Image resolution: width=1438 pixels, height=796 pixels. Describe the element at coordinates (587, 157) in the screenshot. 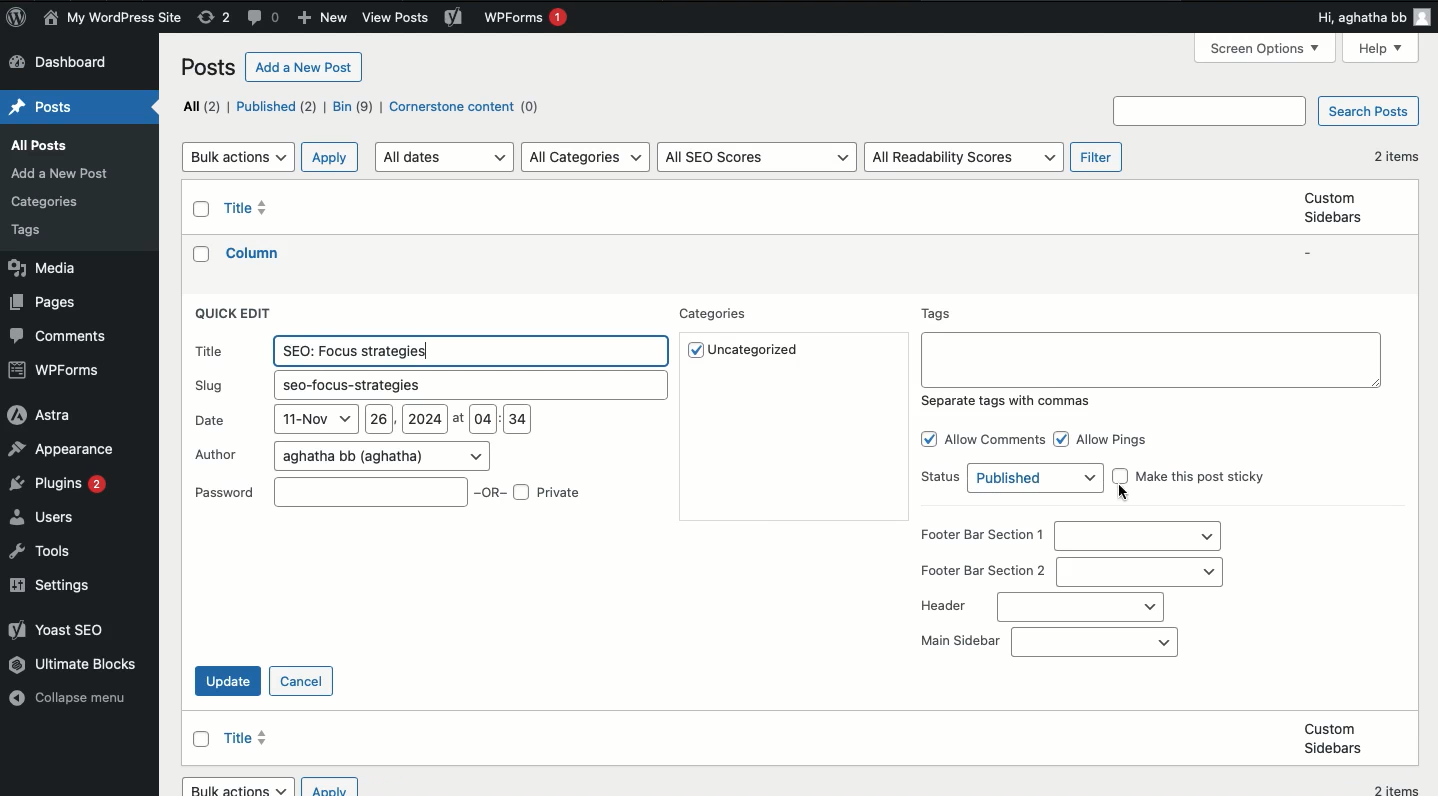

I see `All categories` at that location.